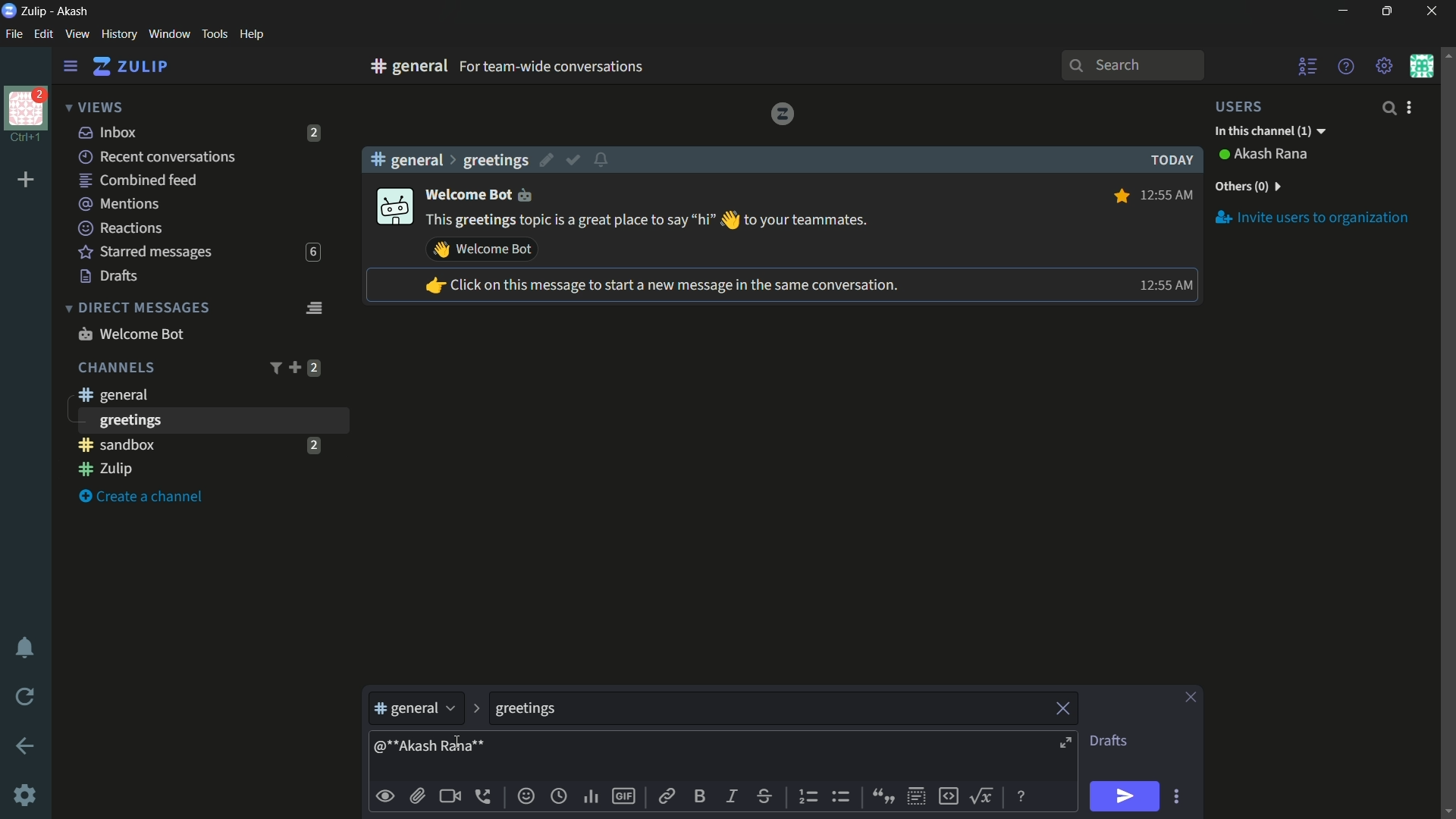 This screenshot has height=819, width=1456. I want to click on user settings, so click(1412, 107).